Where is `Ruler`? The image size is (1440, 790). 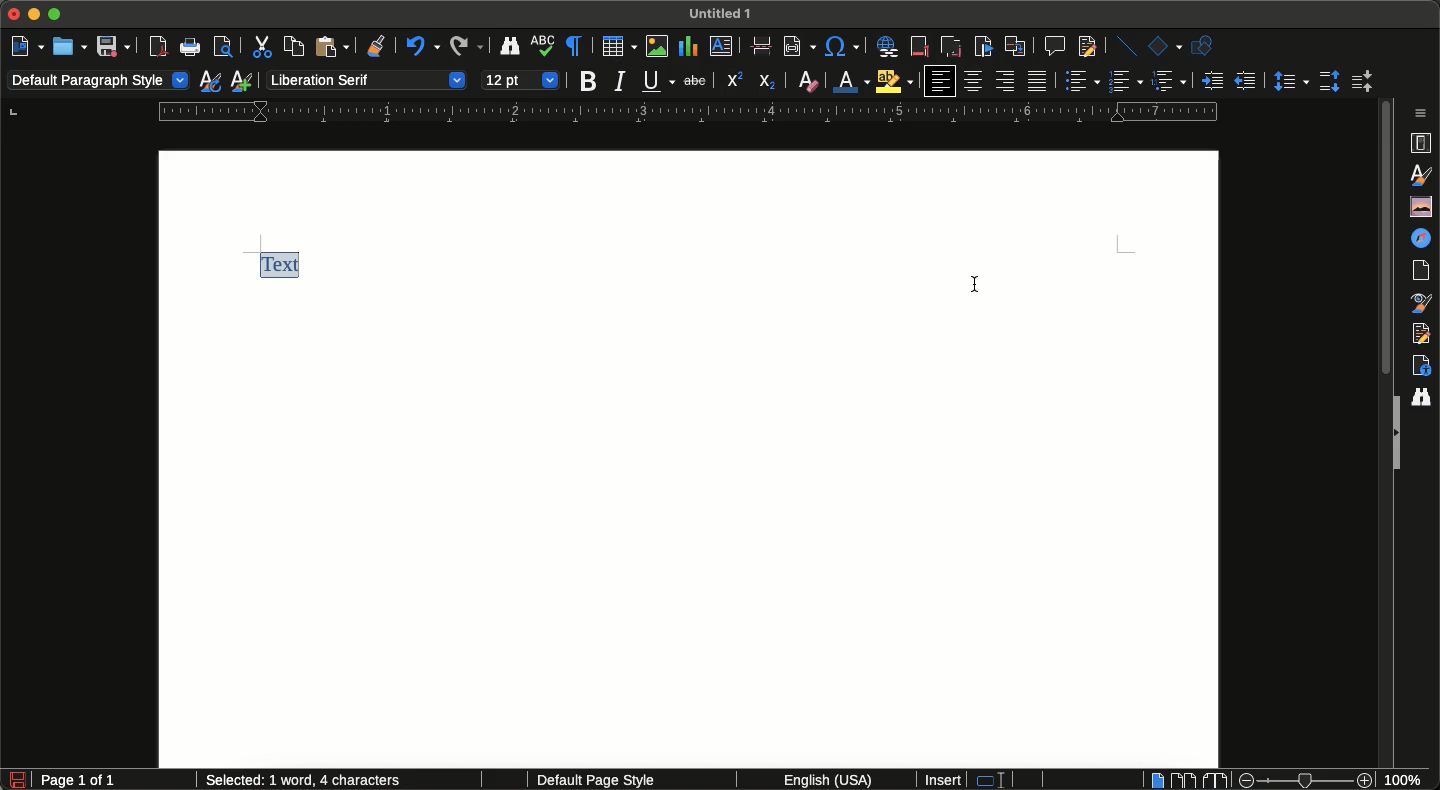
Ruler is located at coordinates (688, 112).